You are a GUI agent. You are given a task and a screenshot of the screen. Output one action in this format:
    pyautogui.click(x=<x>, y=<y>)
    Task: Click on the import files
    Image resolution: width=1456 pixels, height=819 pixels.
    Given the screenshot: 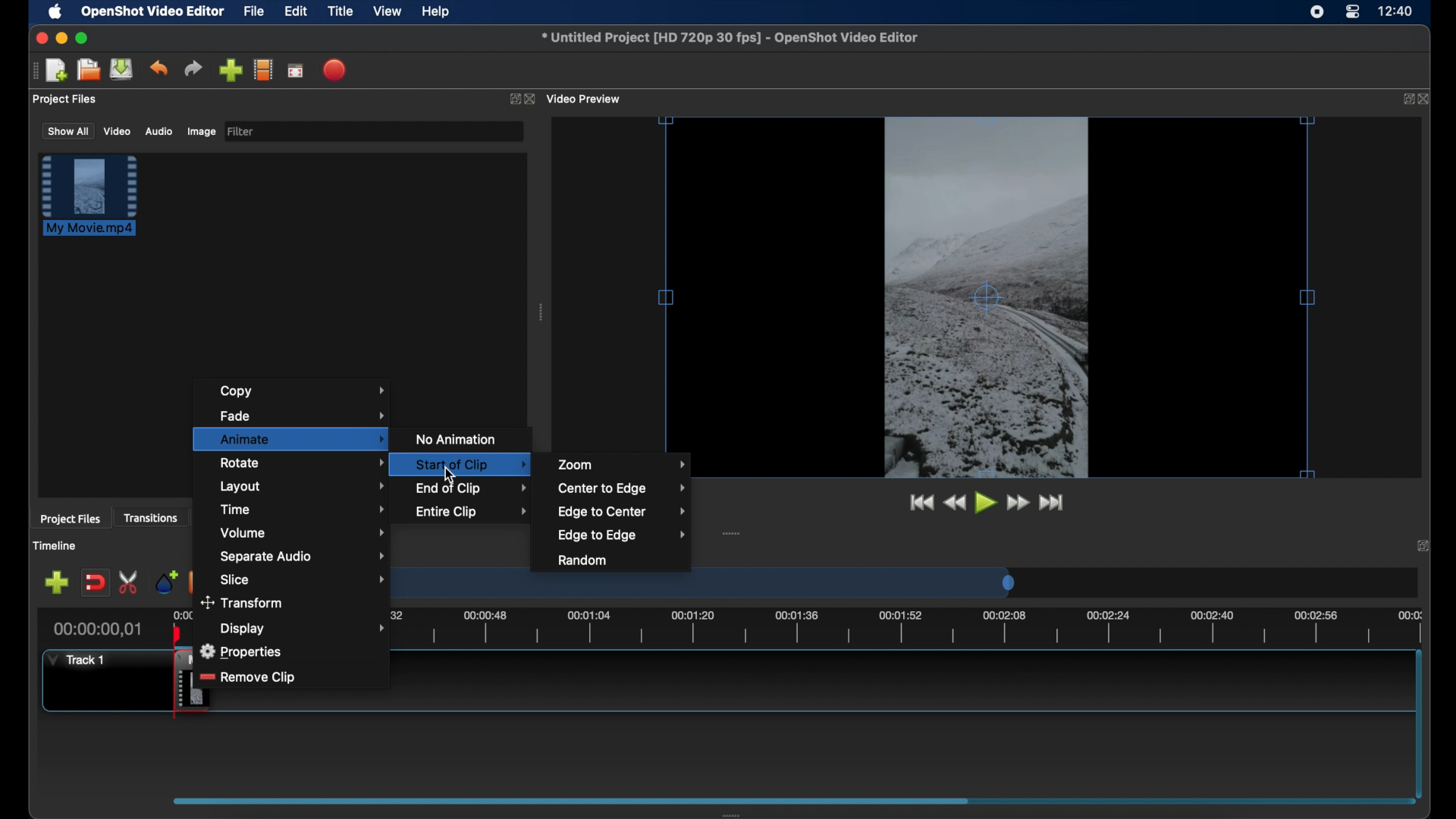 What is the action you would take?
    pyautogui.click(x=231, y=71)
    